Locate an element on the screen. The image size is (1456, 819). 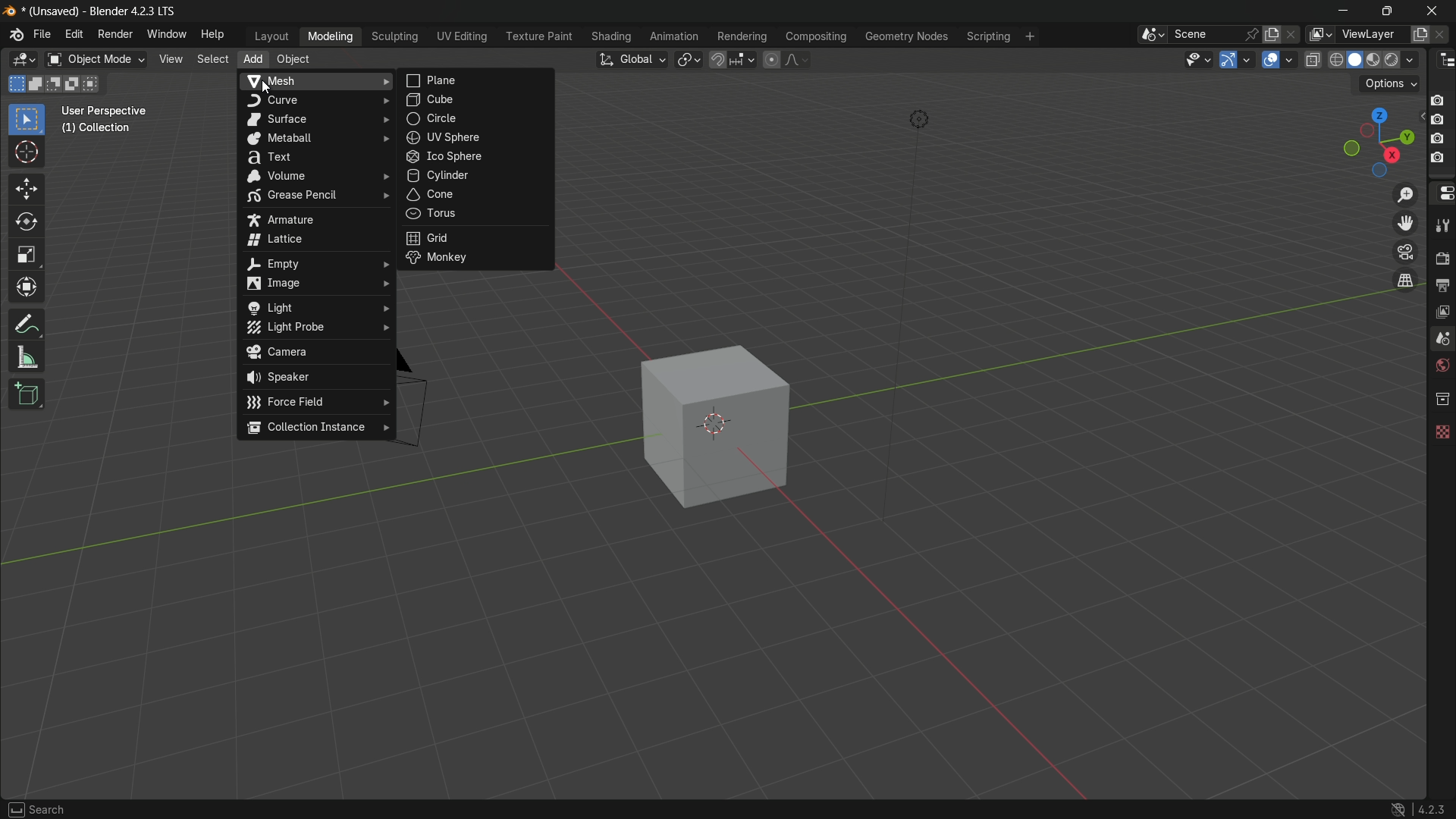
snap is located at coordinates (732, 59).